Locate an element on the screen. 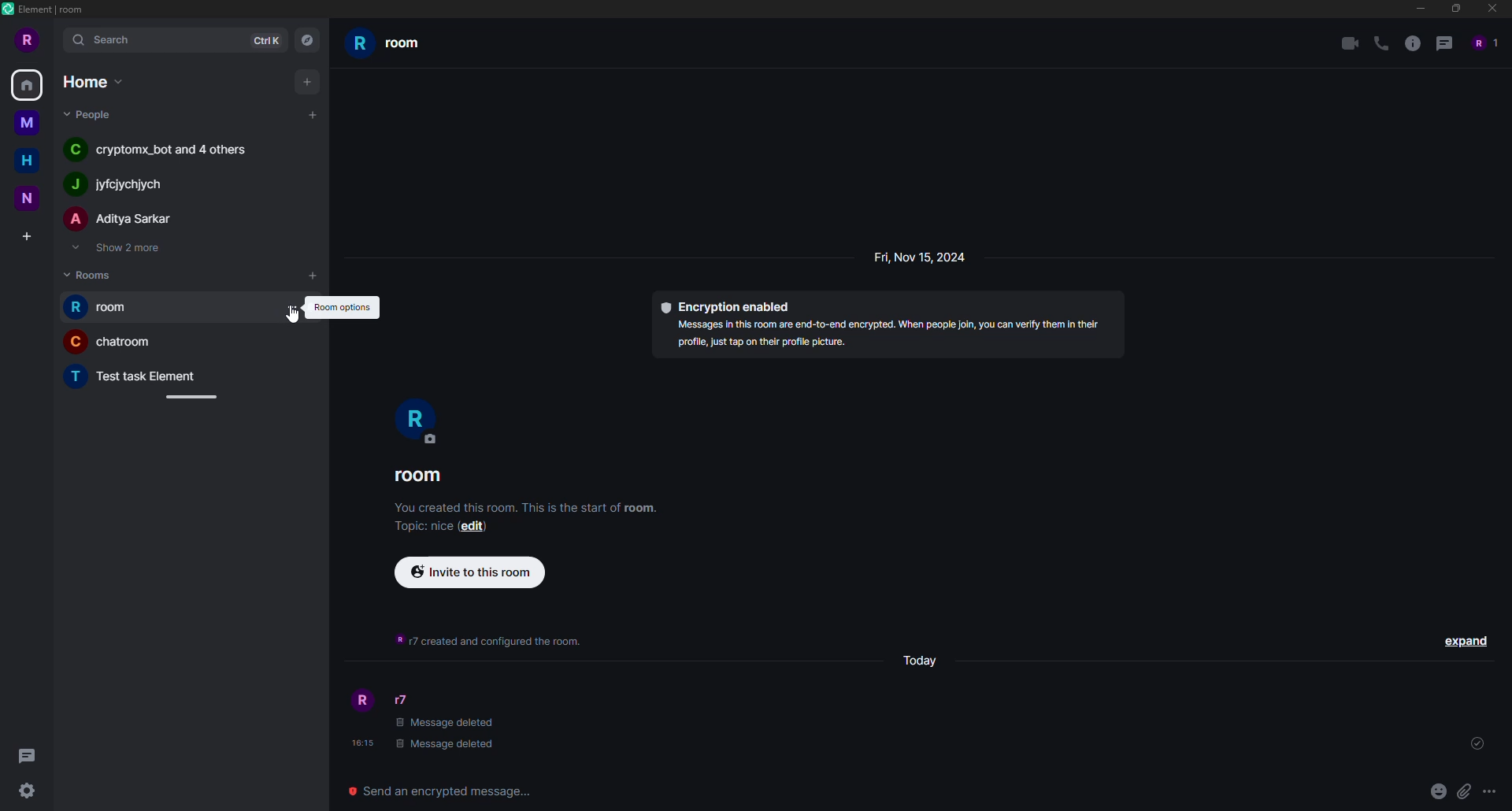 Image resolution: width=1512 pixels, height=811 pixels. r room is located at coordinates (106, 306).